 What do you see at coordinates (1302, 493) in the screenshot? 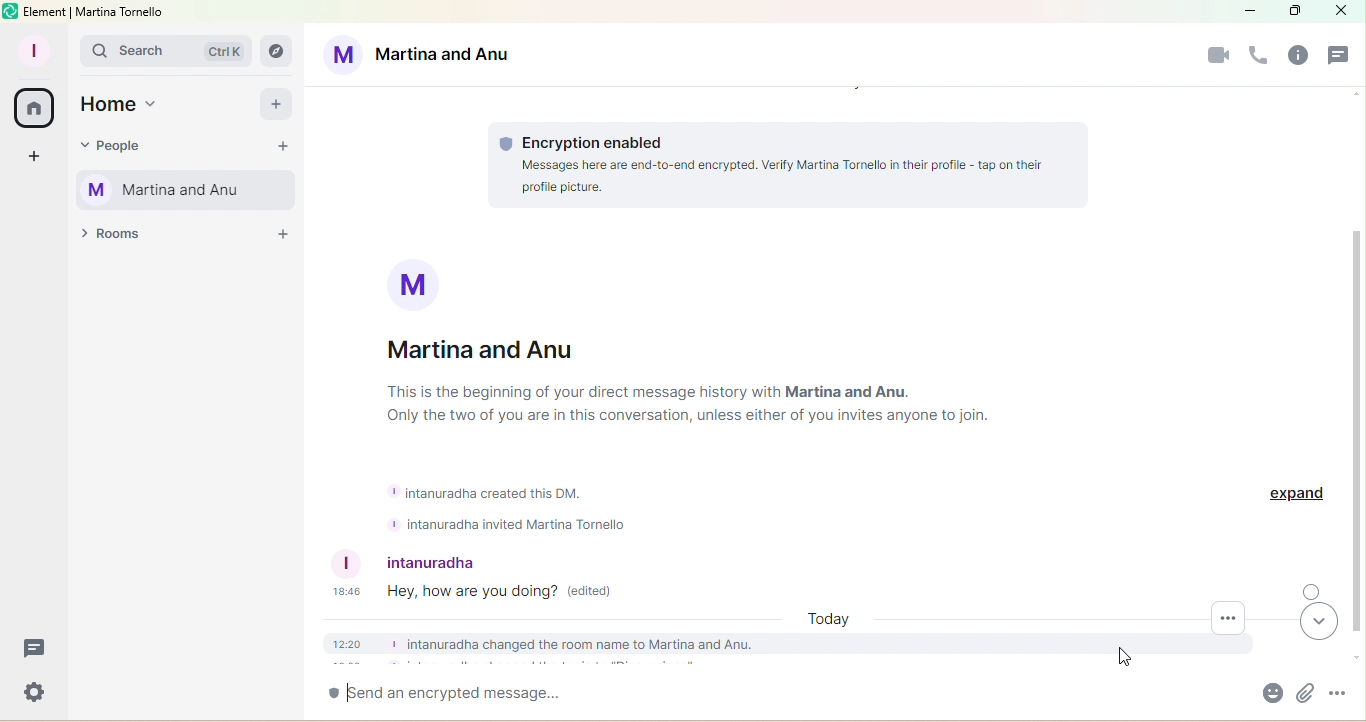
I see `Expand` at bounding box center [1302, 493].